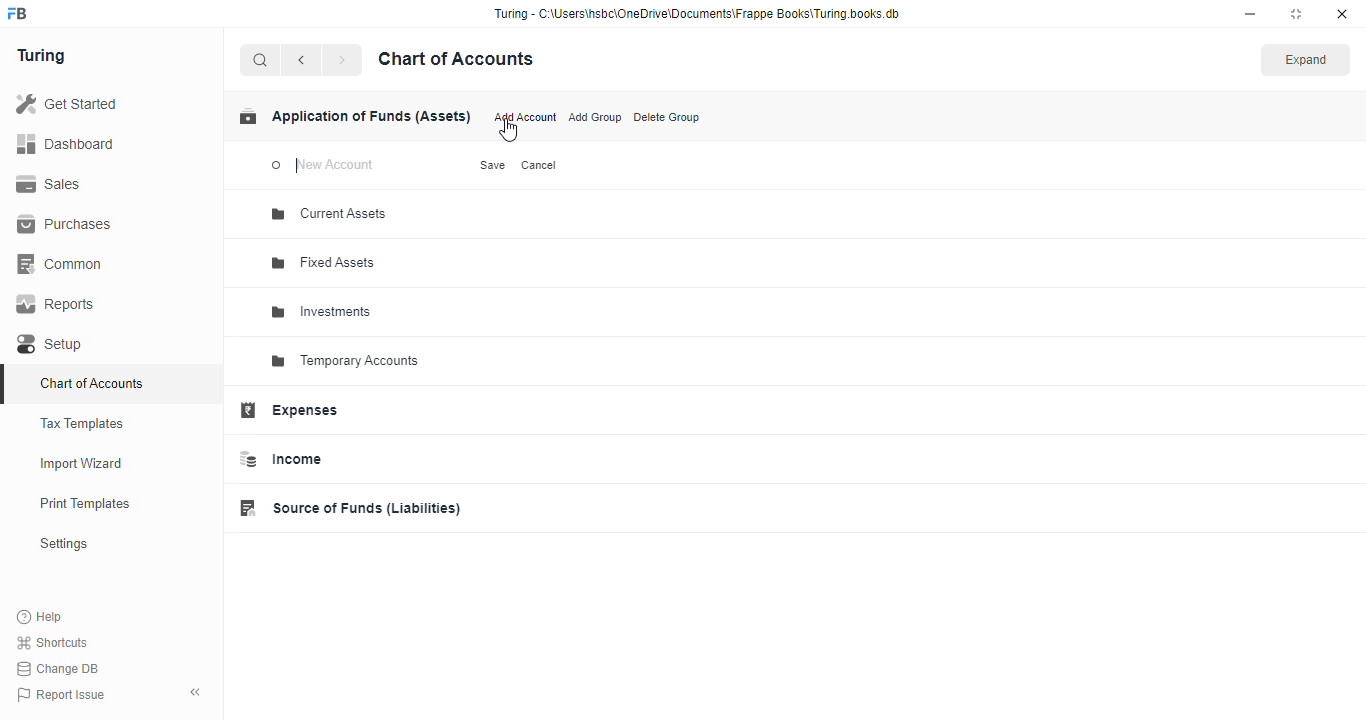  I want to click on report issue, so click(60, 694).